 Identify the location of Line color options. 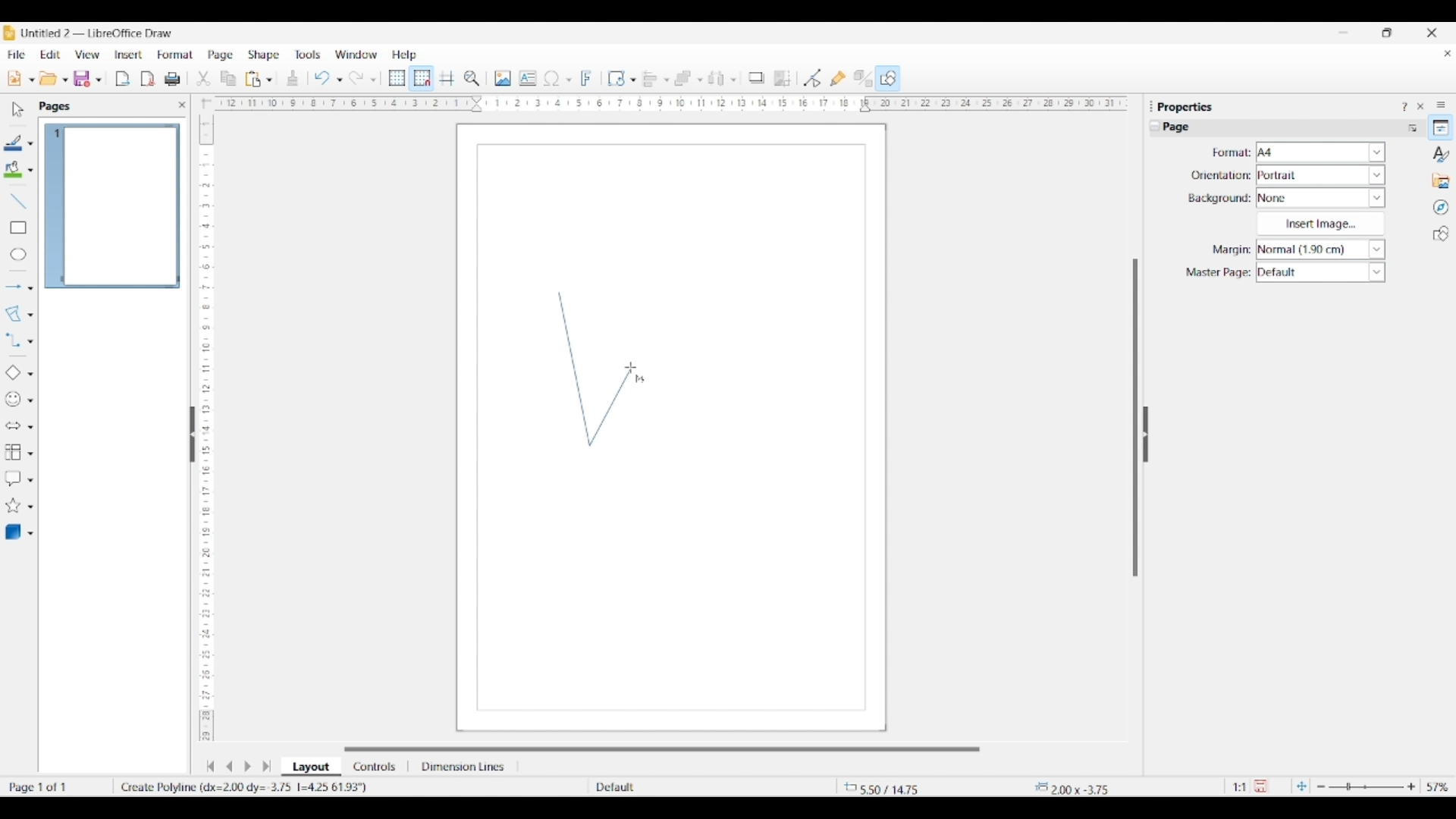
(30, 144).